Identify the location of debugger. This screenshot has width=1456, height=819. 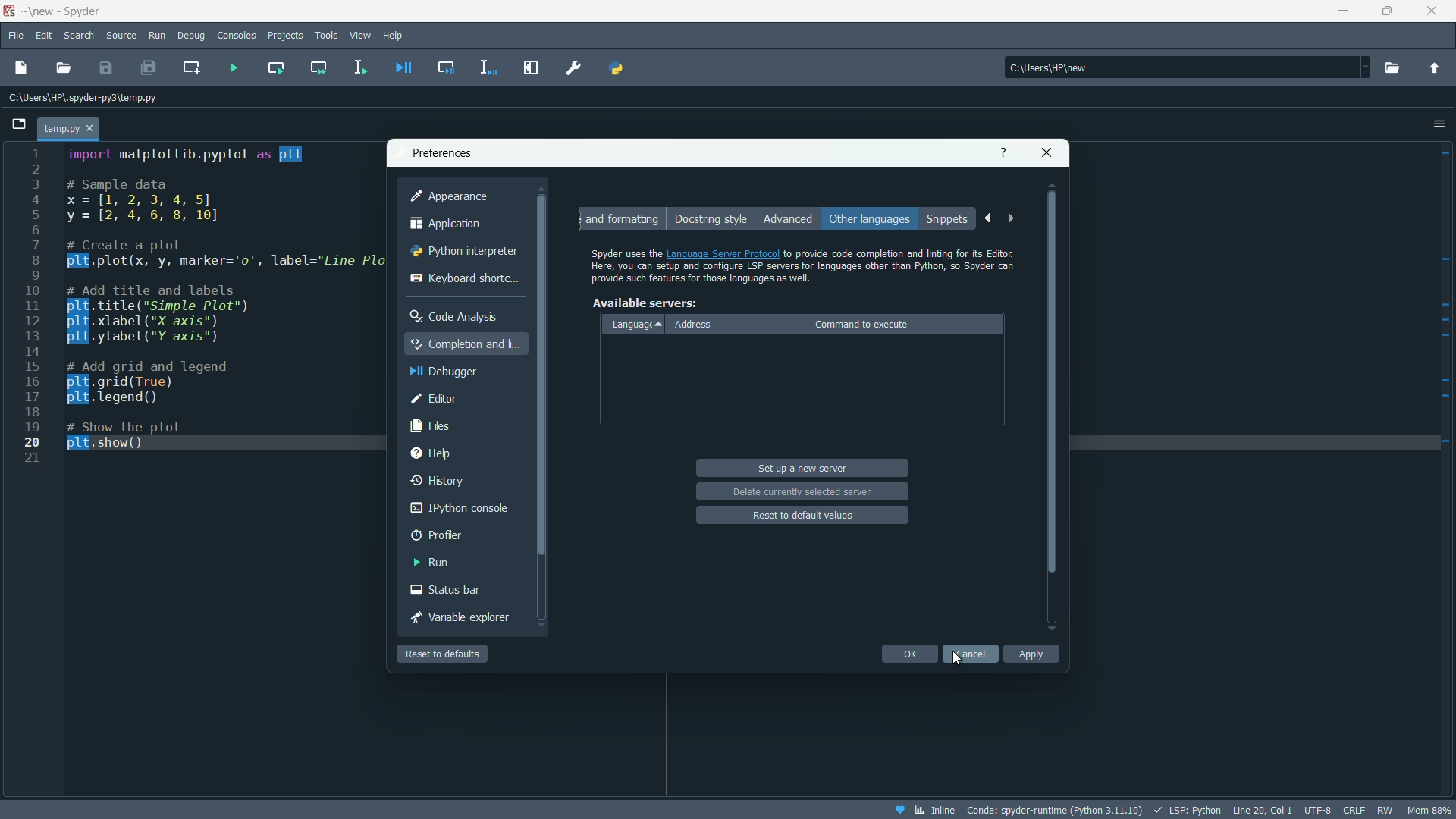
(440, 372).